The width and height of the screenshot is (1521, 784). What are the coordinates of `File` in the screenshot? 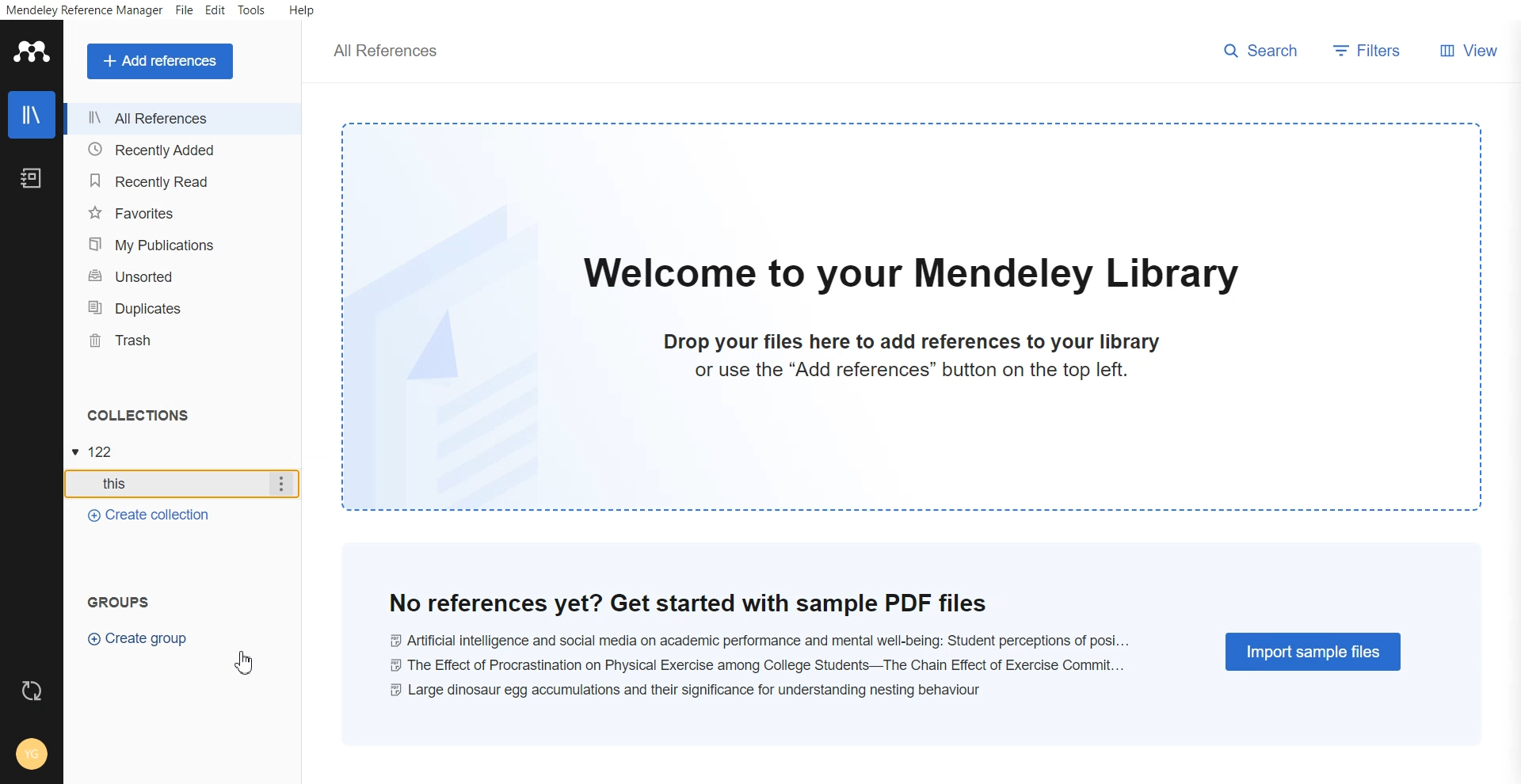 It's located at (185, 10).